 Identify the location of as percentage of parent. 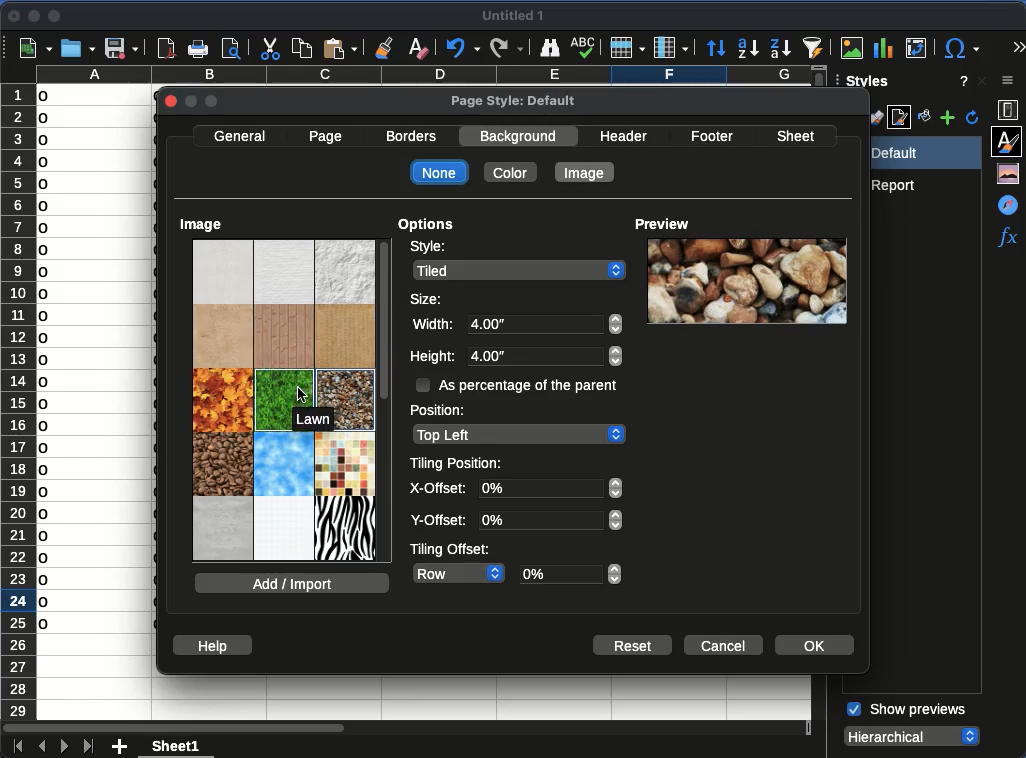
(517, 384).